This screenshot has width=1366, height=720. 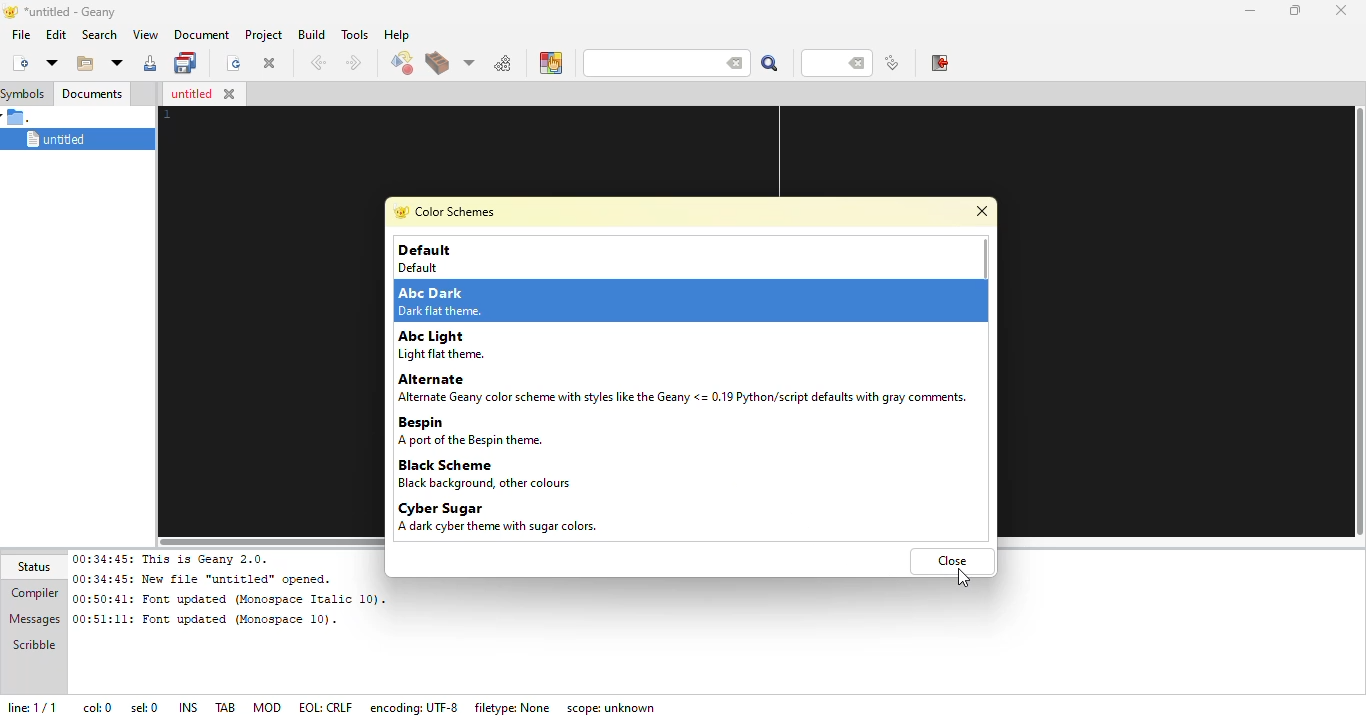 What do you see at coordinates (142, 708) in the screenshot?
I see `sel: 0` at bounding box center [142, 708].